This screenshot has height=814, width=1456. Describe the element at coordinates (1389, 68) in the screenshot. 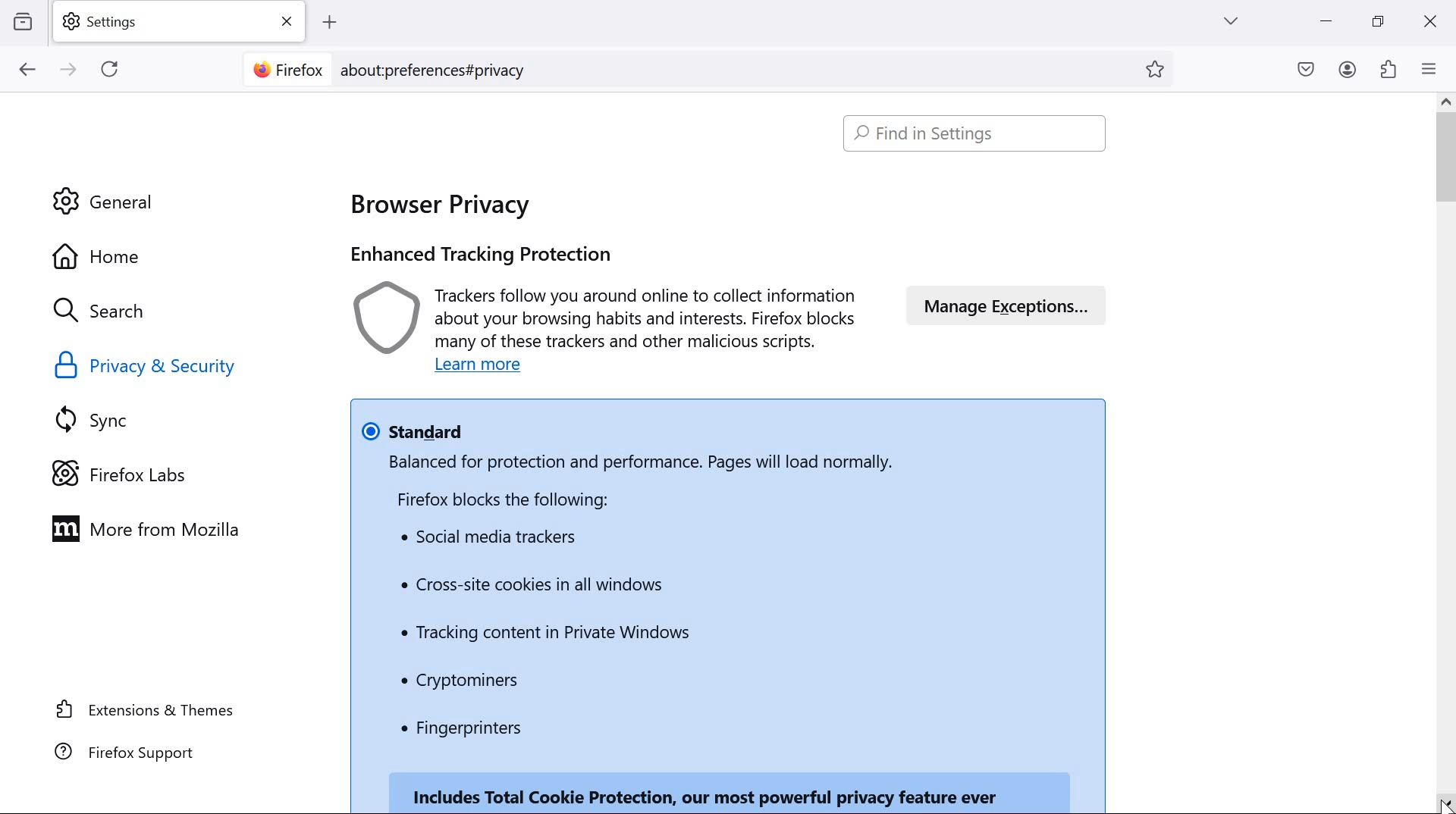

I see `extensions` at that location.